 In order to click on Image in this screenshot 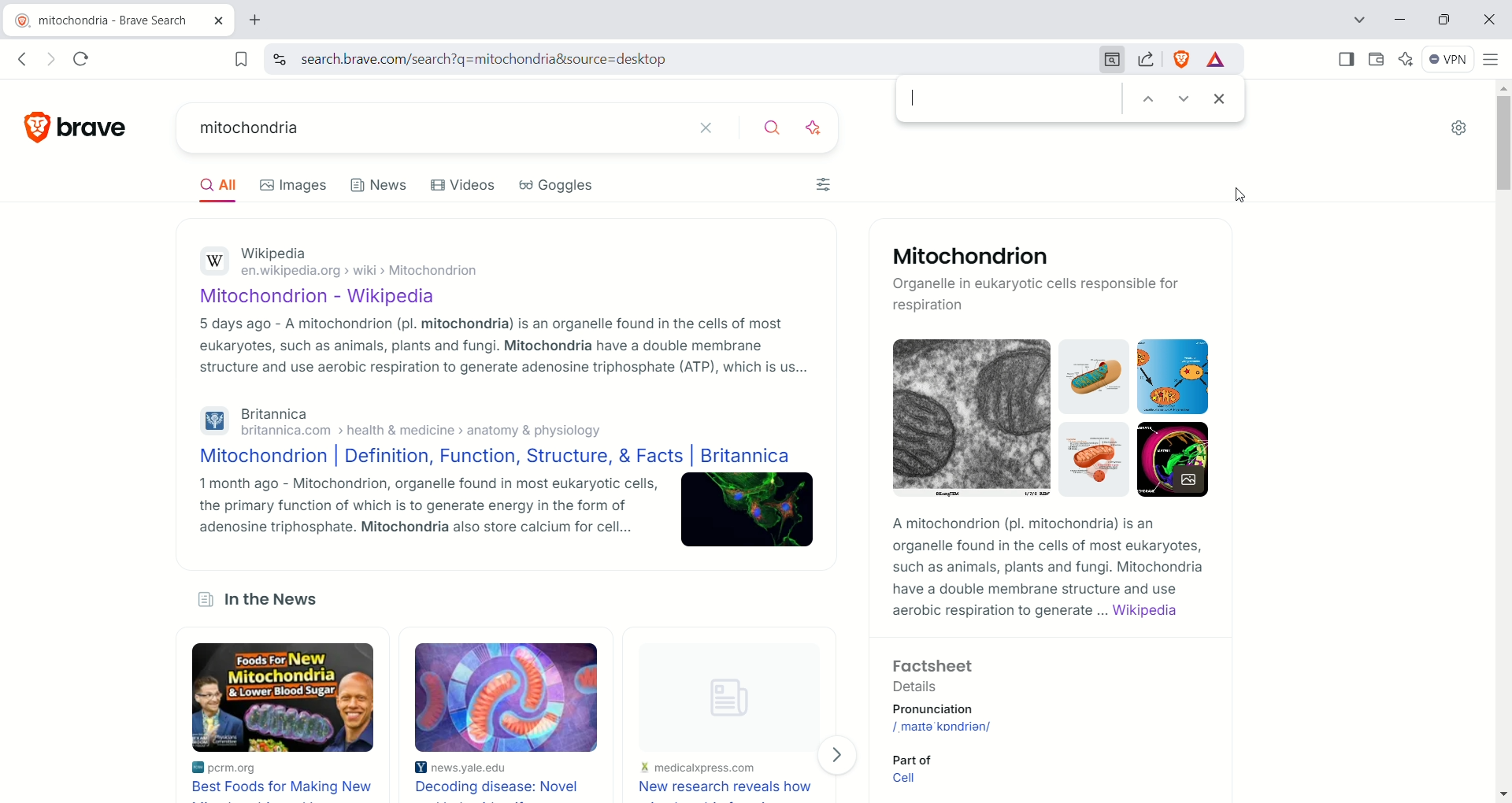, I will do `click(505, 694)`.